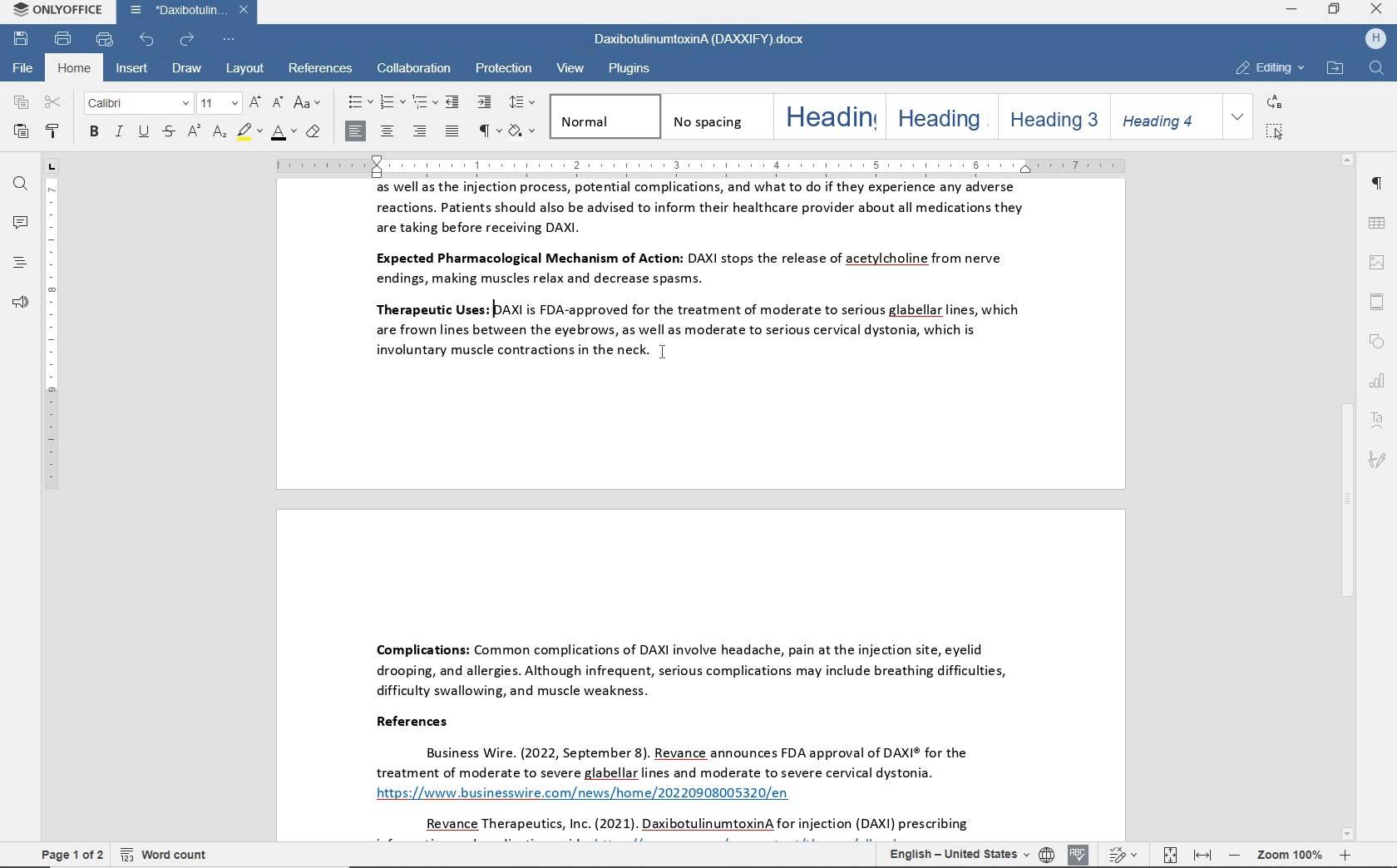  Describe the element at coordinates (1051, 116) in the screenshot. I see `heading 3` at that location.